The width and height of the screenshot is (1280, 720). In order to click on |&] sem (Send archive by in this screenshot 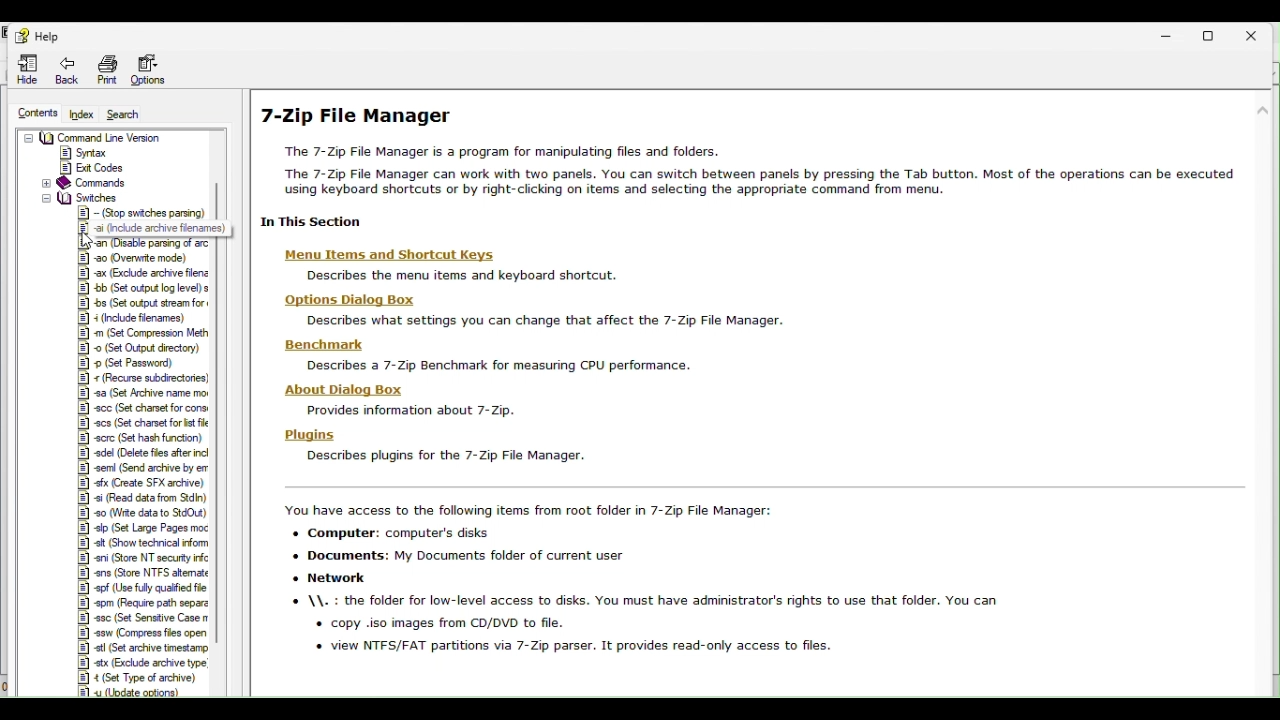, I will do `click(142, 469)`.